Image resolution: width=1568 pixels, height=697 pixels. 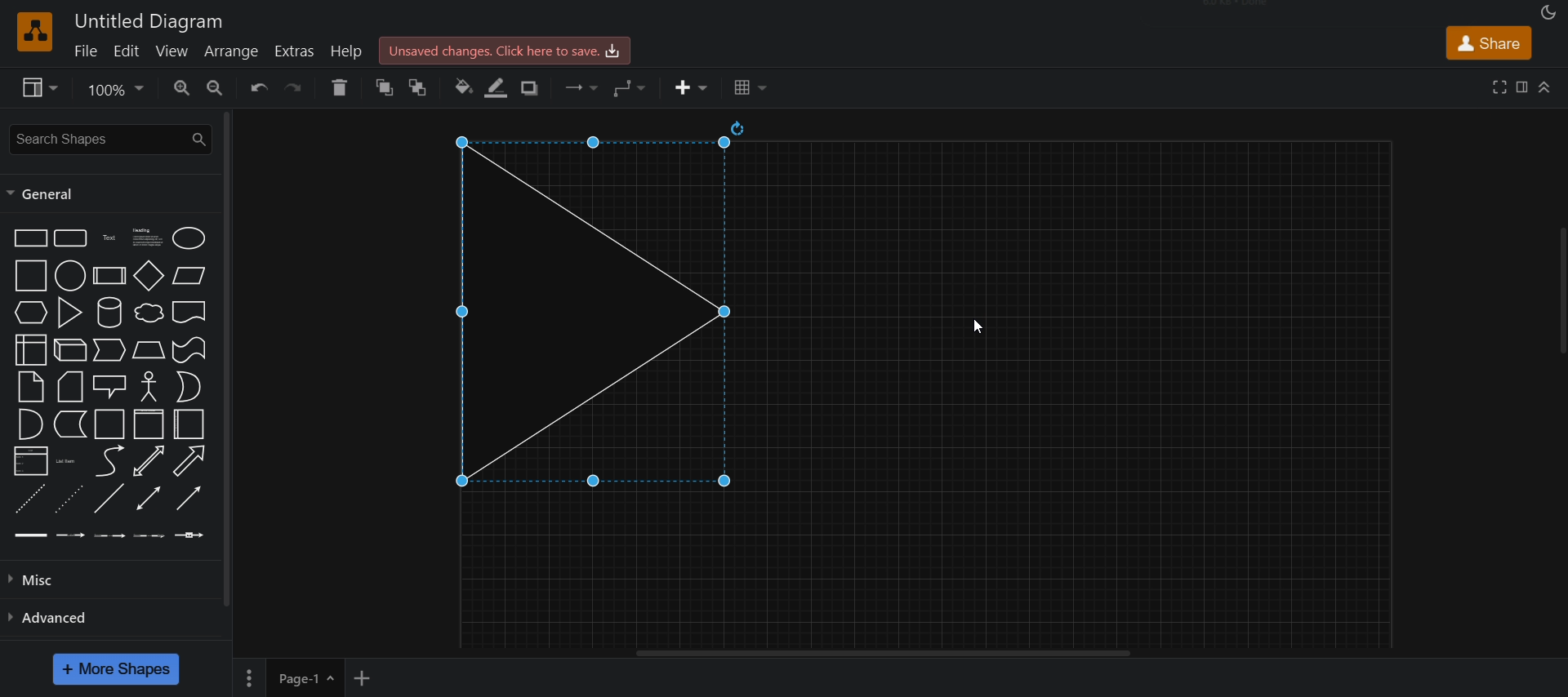 I want to click on paralleogram, so click(x=188, y=276).